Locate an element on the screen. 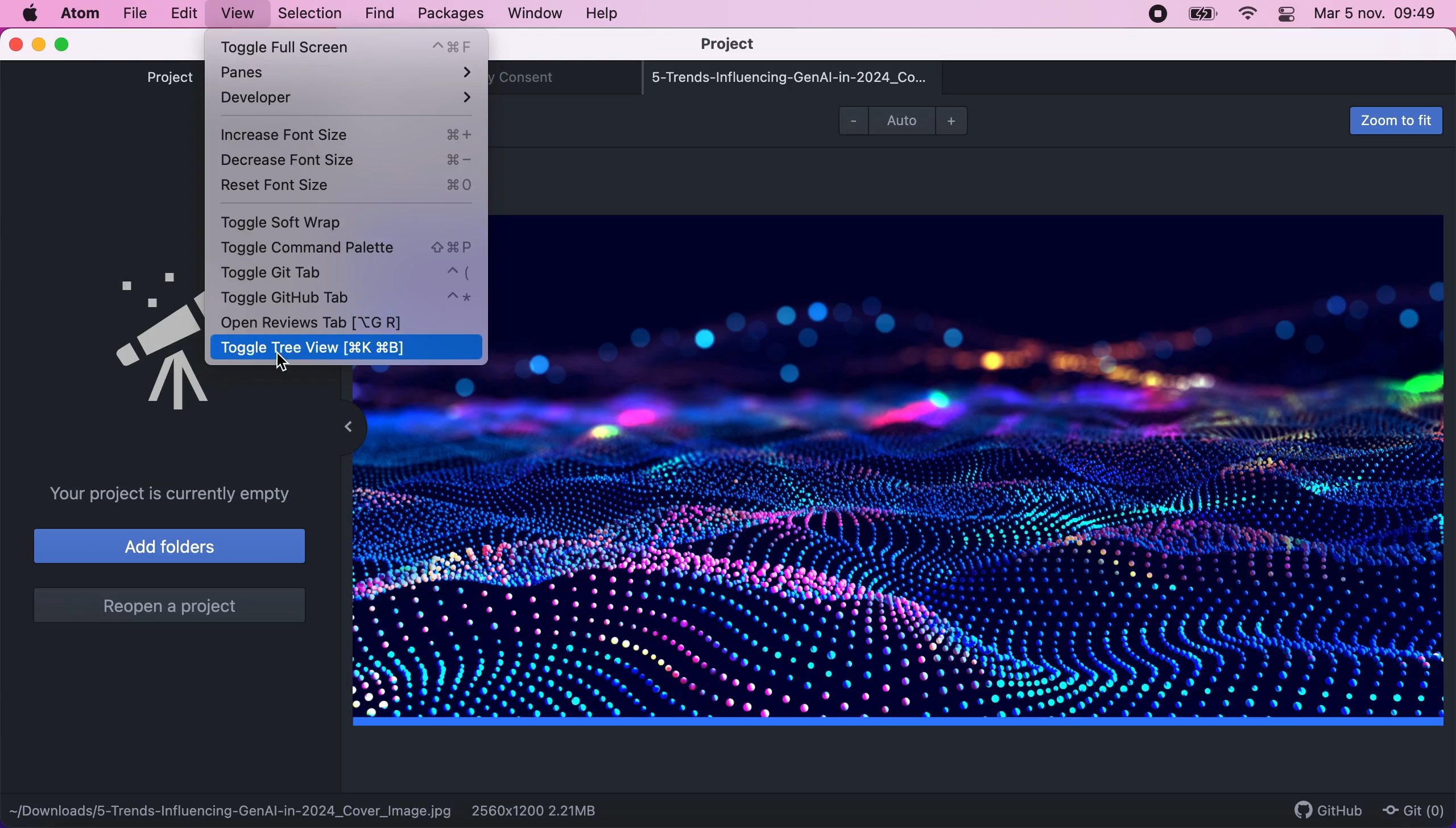  auto is located at coordinates (901, 121).